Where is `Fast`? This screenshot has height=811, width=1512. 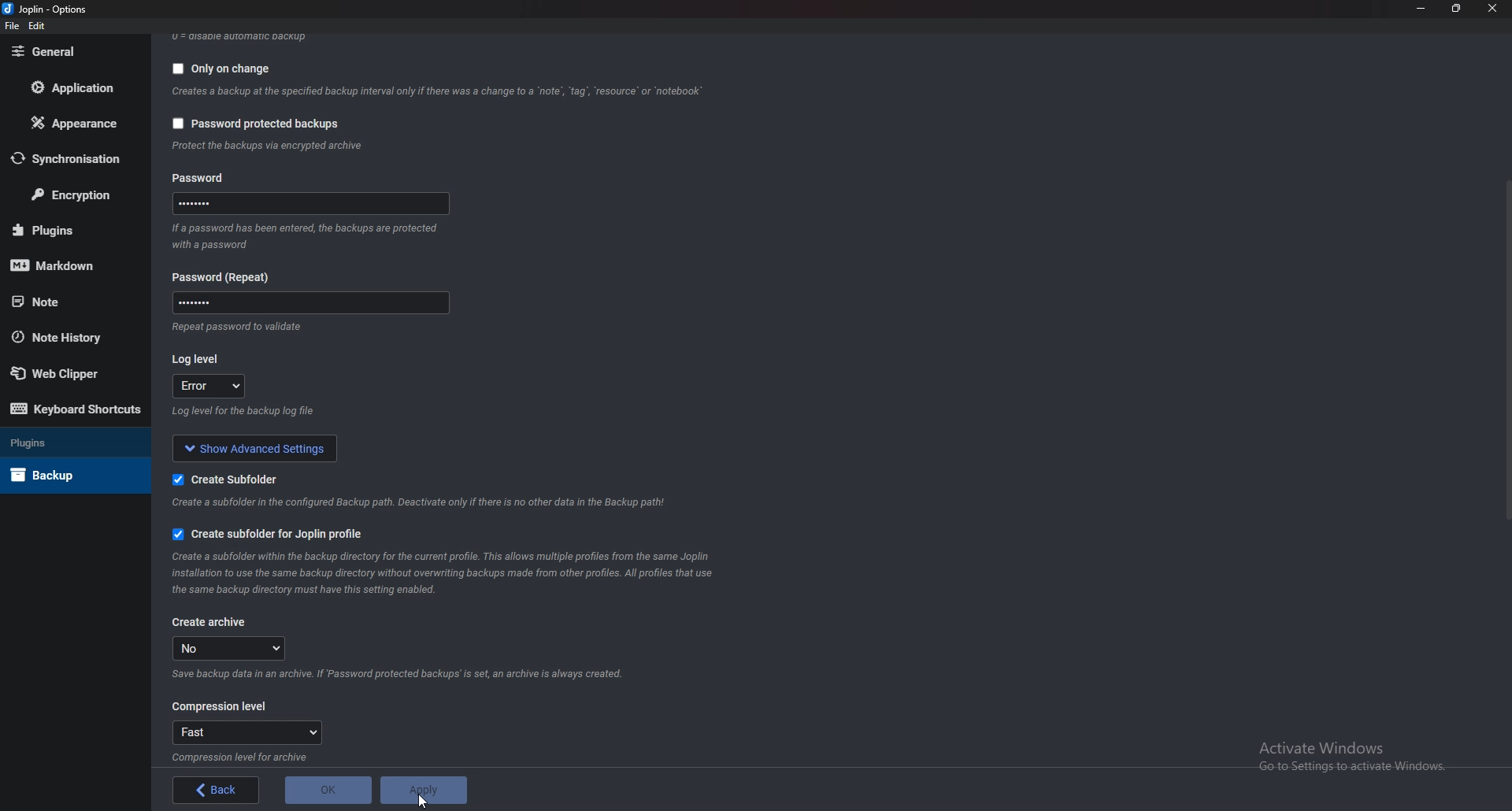 Fast is located at coordinates (246, 732).